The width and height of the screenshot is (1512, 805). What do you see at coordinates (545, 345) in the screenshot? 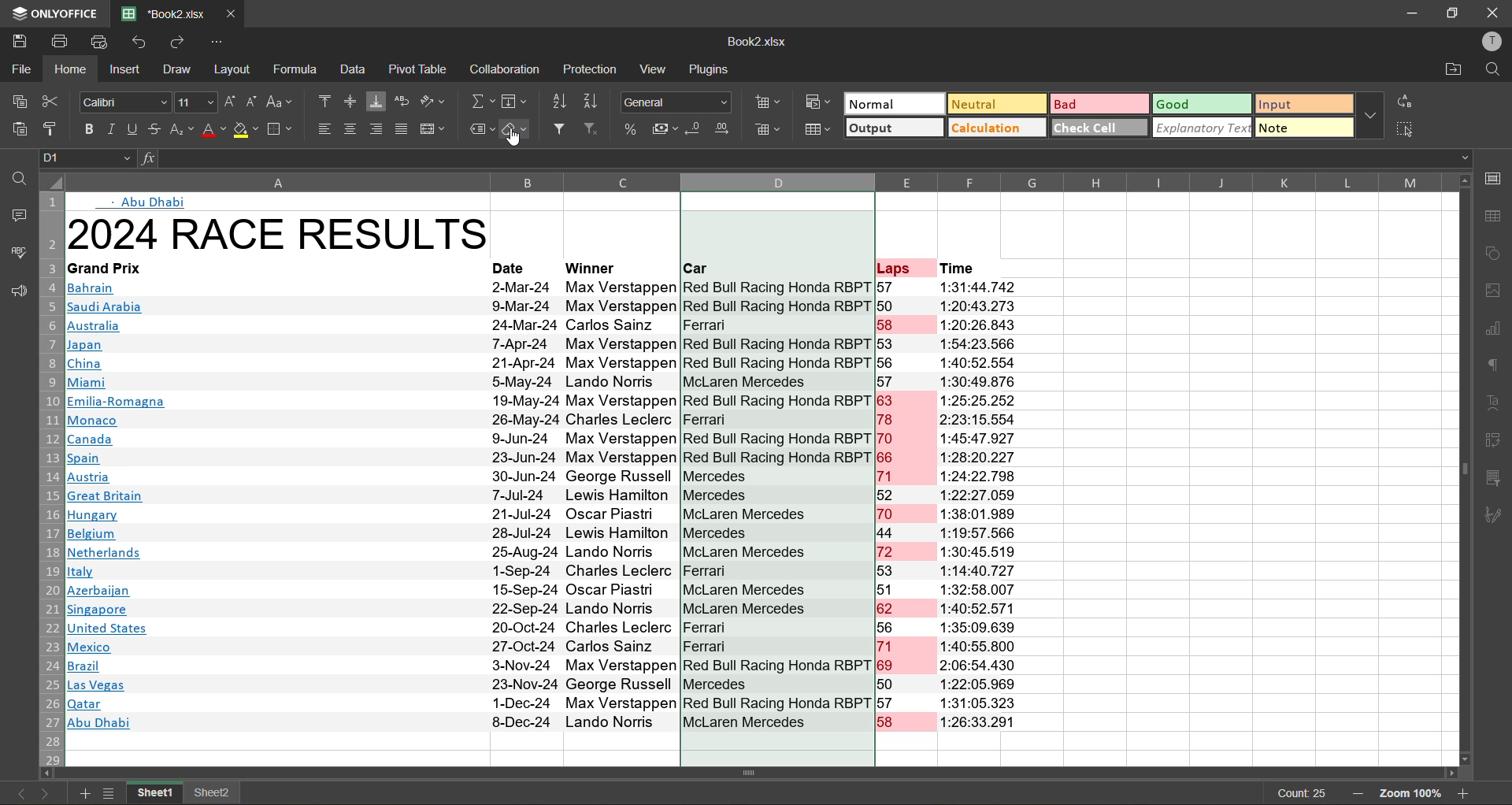
I see `Japan 7-Apr-24 Max Verstappen Red Bull Racing Honda RBPT 53 1:54:23.566` at bounding box center [545, 345].